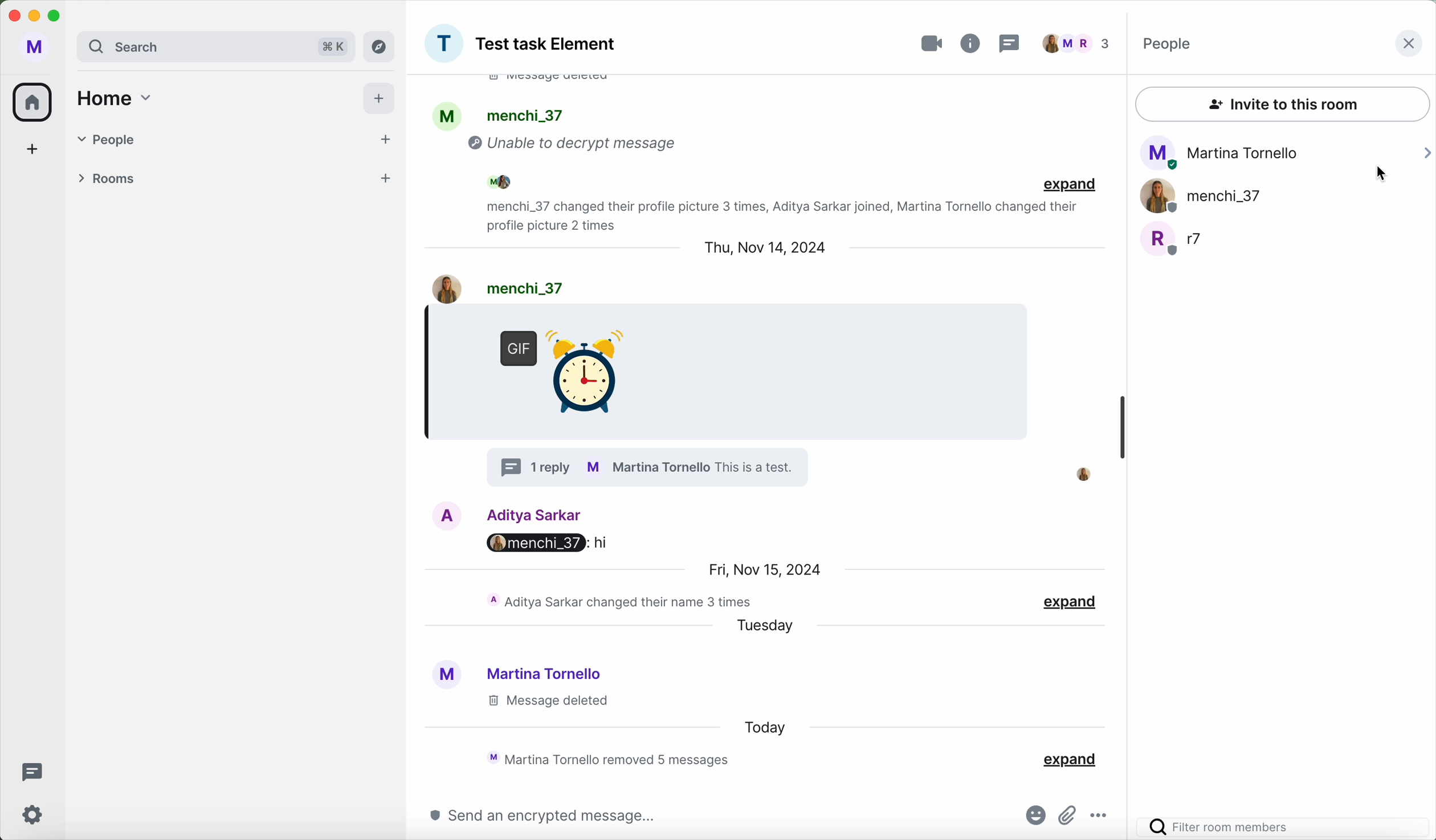  Describe the element at coordinates (614, 758) in the screenshot. I see `activity chat` at that location.